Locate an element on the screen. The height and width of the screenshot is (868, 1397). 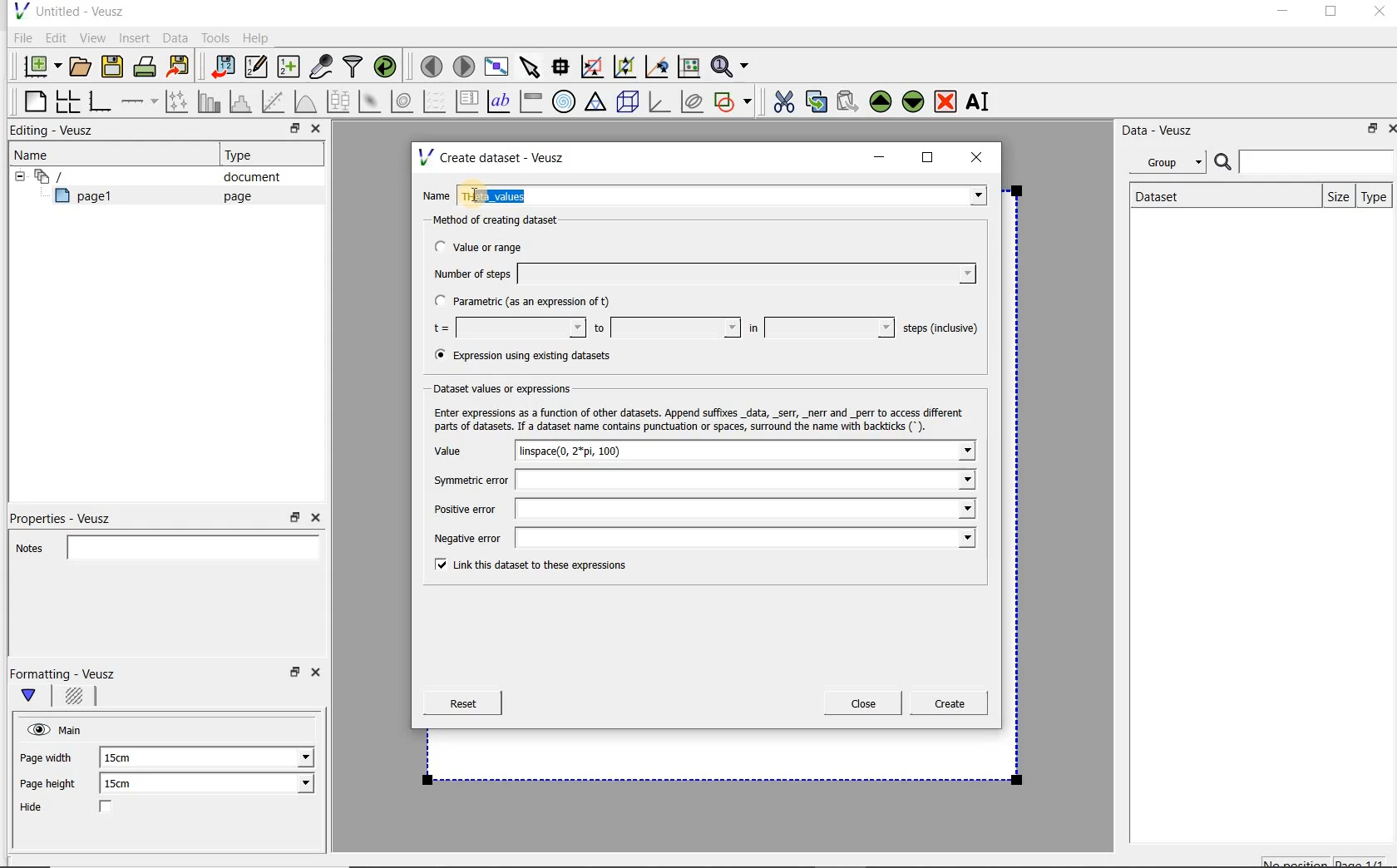
Edit and enter new datasets is located at coordinates (257, 67).